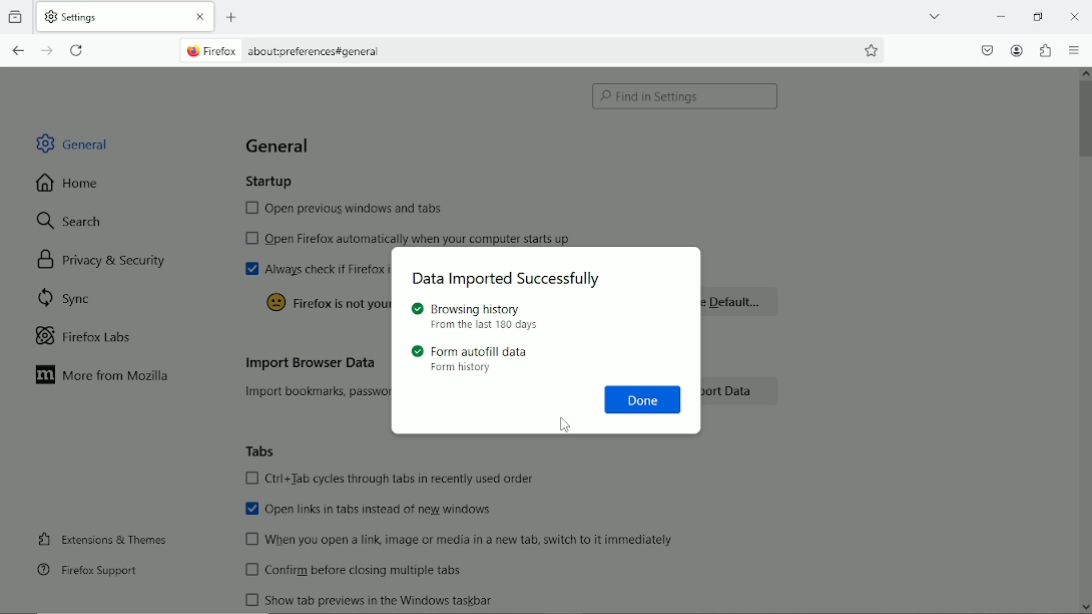 The width and height of the screenshot is (1092, 614). What do you see at coordinates (1001, 16) in the screenshot?
I see `Minimize` at bounding box center [1001, 16].